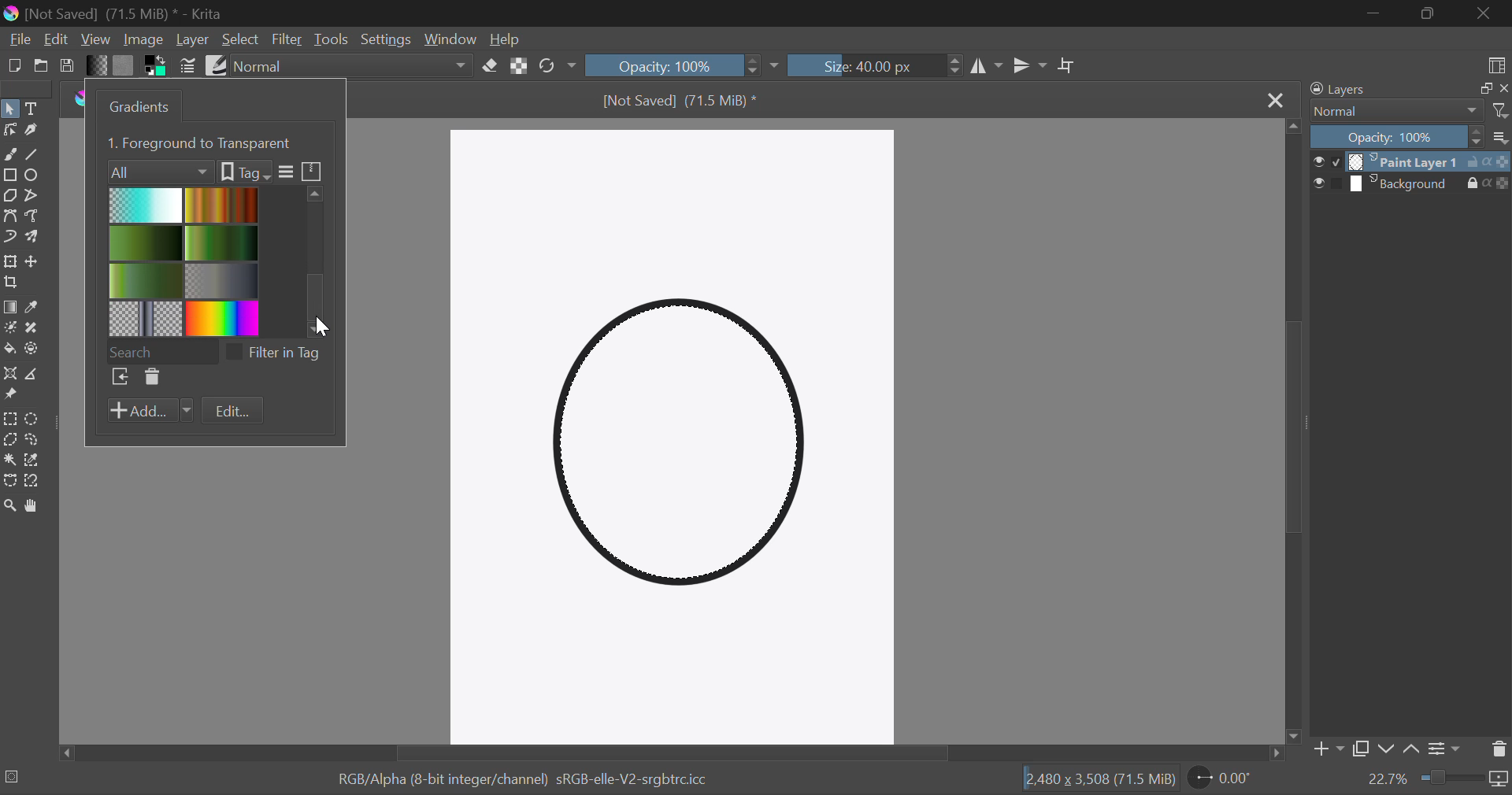  Describe the element at coordinates (35, 217) in the screenshot. I see `Freehand Path Tool` at that location.